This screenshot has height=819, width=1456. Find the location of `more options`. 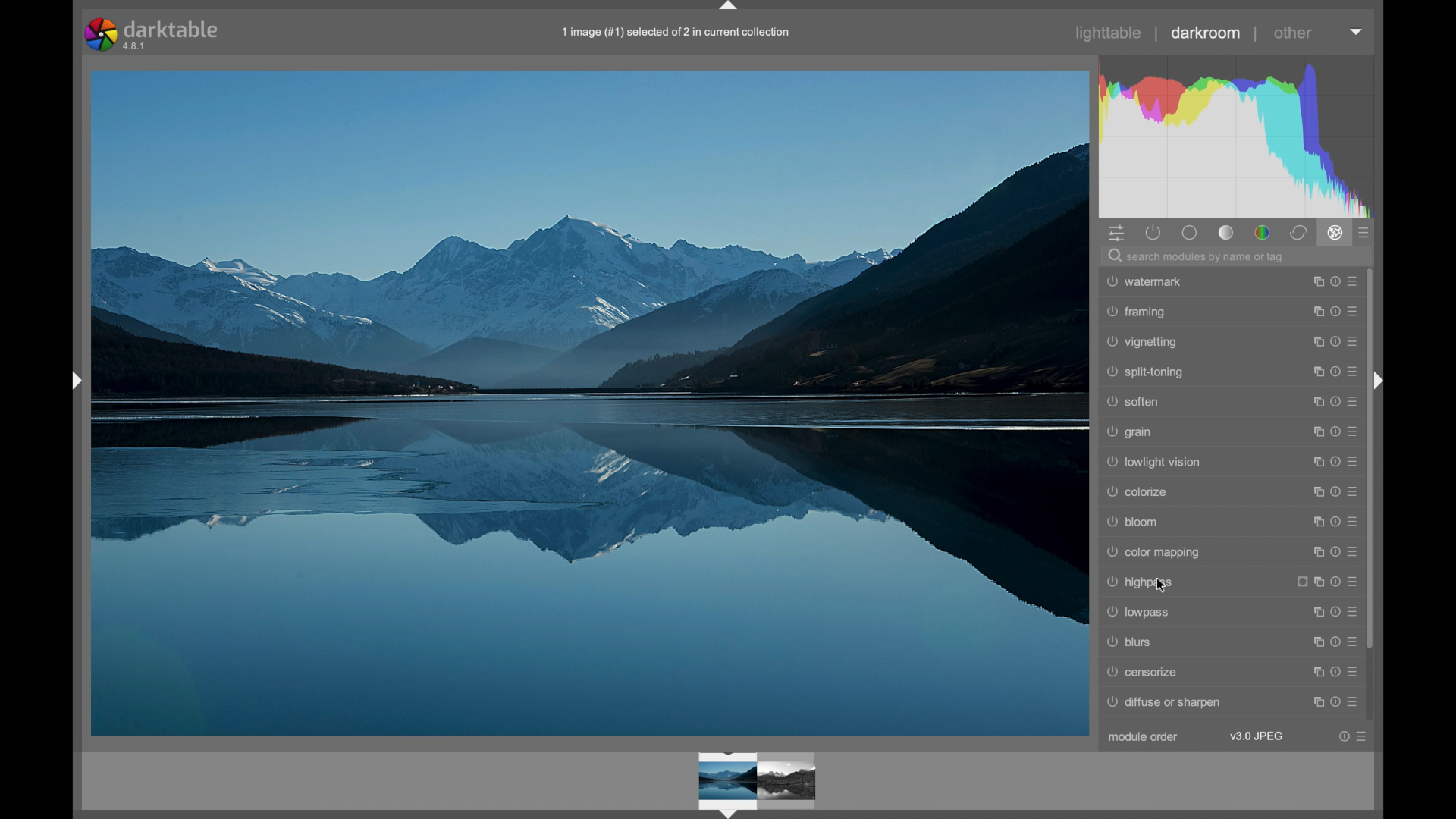

more options is located at coordinates (1335, 312).